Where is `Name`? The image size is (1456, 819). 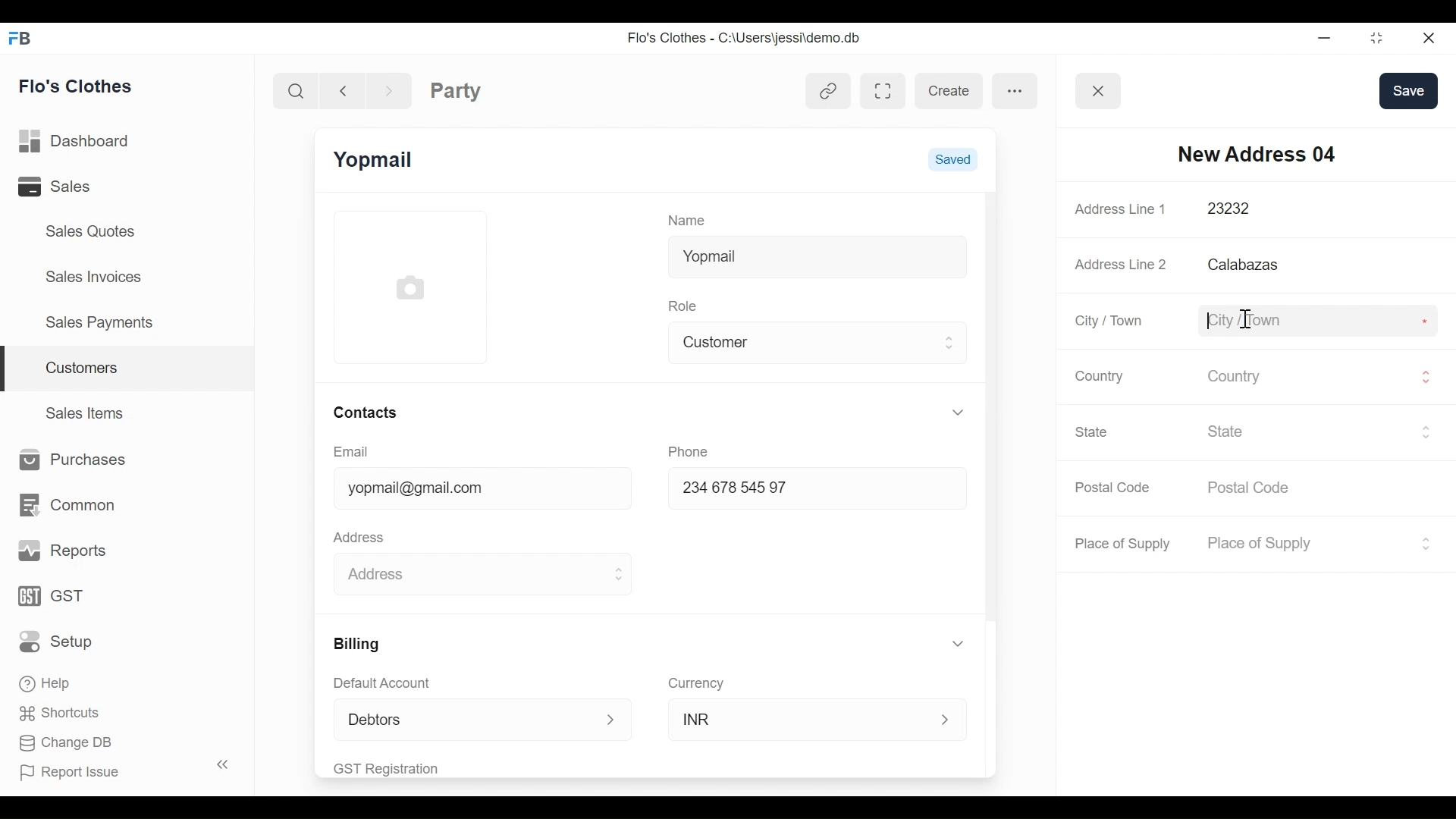 Name is located at coordinates (690, 219).